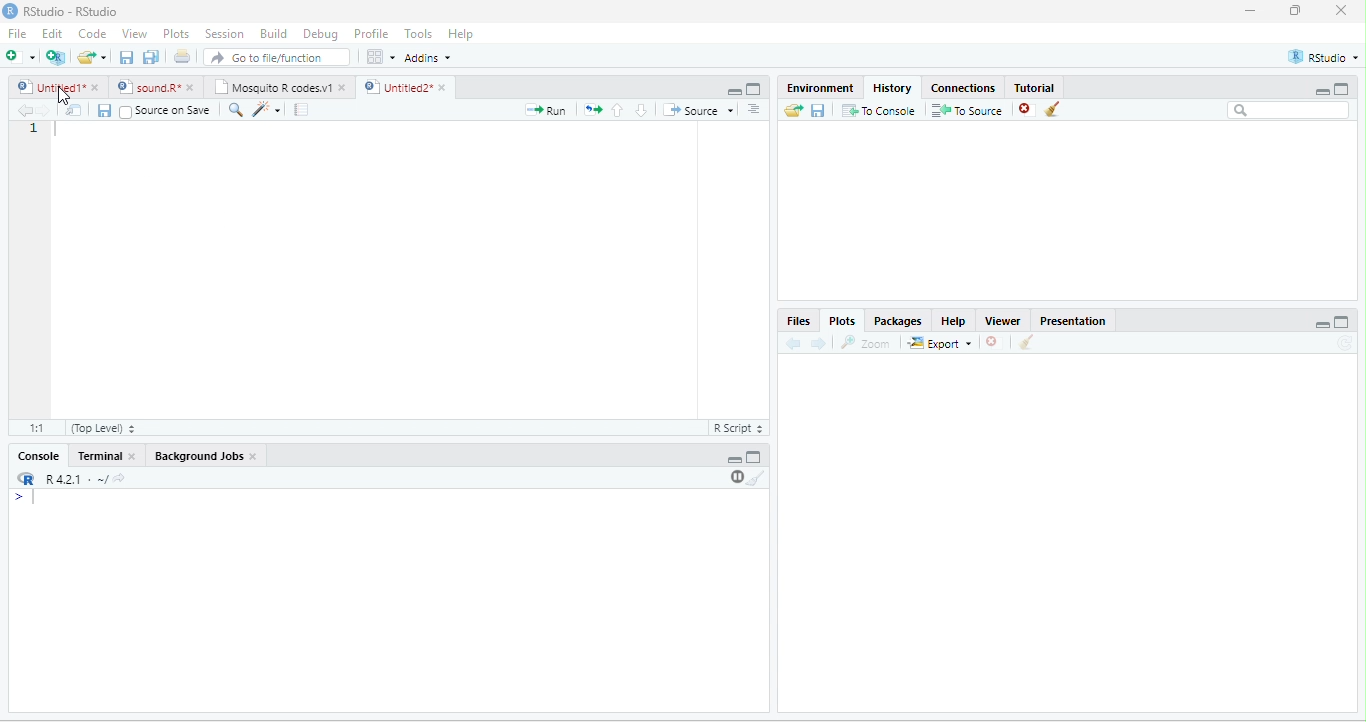  I want to click on Maximize, so click(1341, 322).